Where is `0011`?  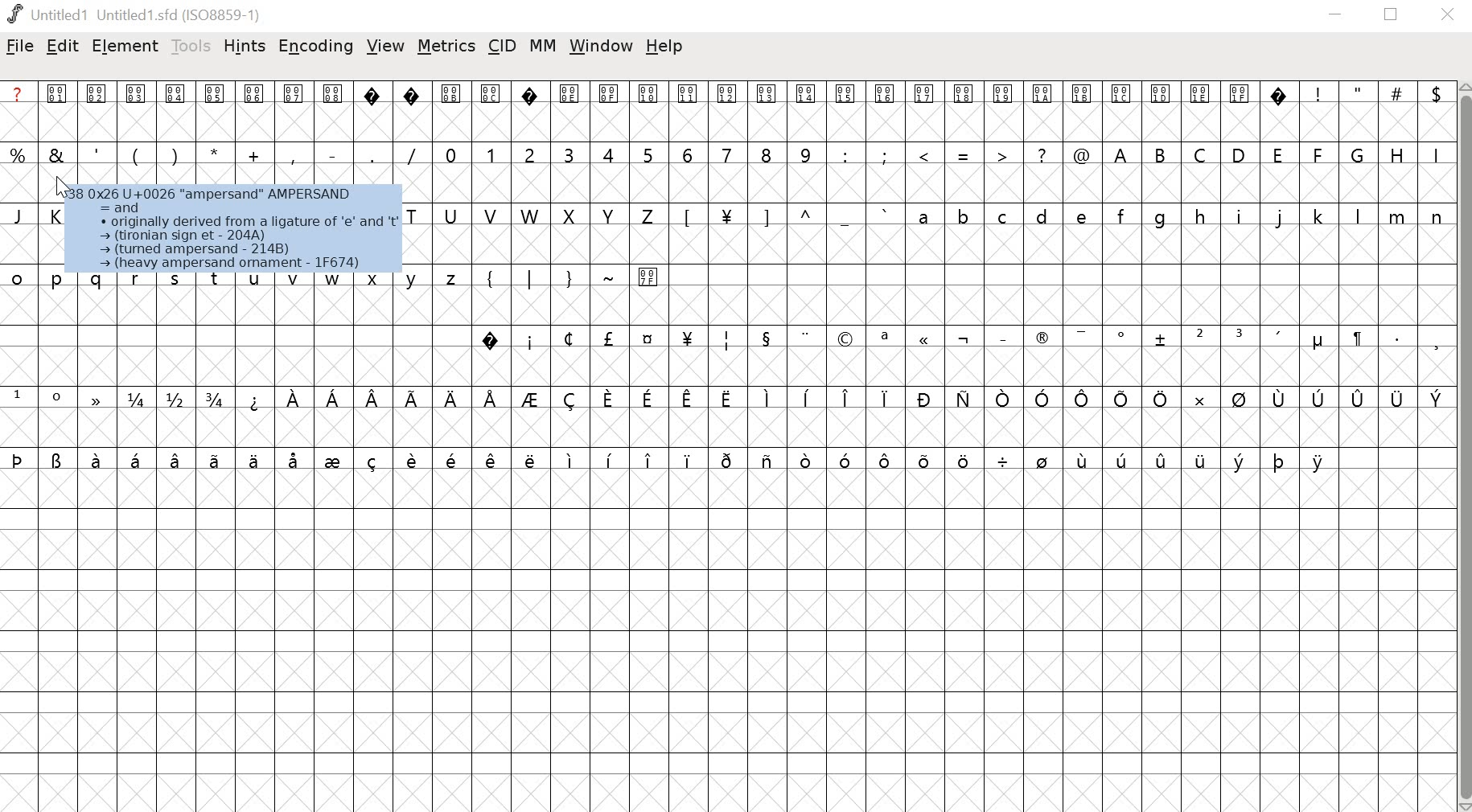
0011 is located at coordinates (692, 111).